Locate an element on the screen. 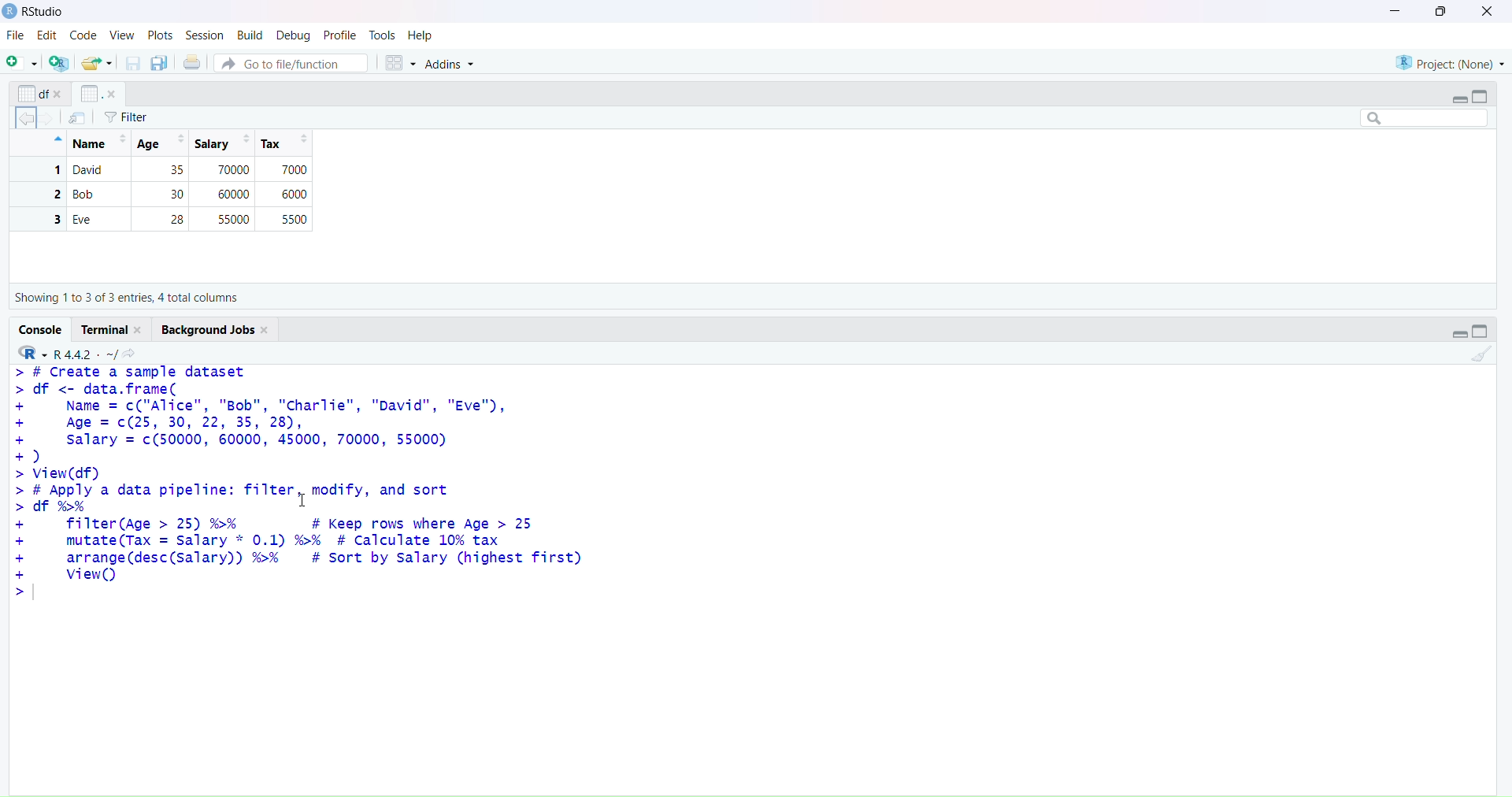 The height and width of the screenshot is (797, 1512). > # create a sample dataset > df <- data.frame(+ Name = c("Alice", "Bob", "Charlie", "David", "Eve"),+ Age = c(25, 30, 22, 35, 28),+ salary = c(50000, 60000, 45000, 70000, 55000)+)>view(df) is located at coordinates (272, 423).